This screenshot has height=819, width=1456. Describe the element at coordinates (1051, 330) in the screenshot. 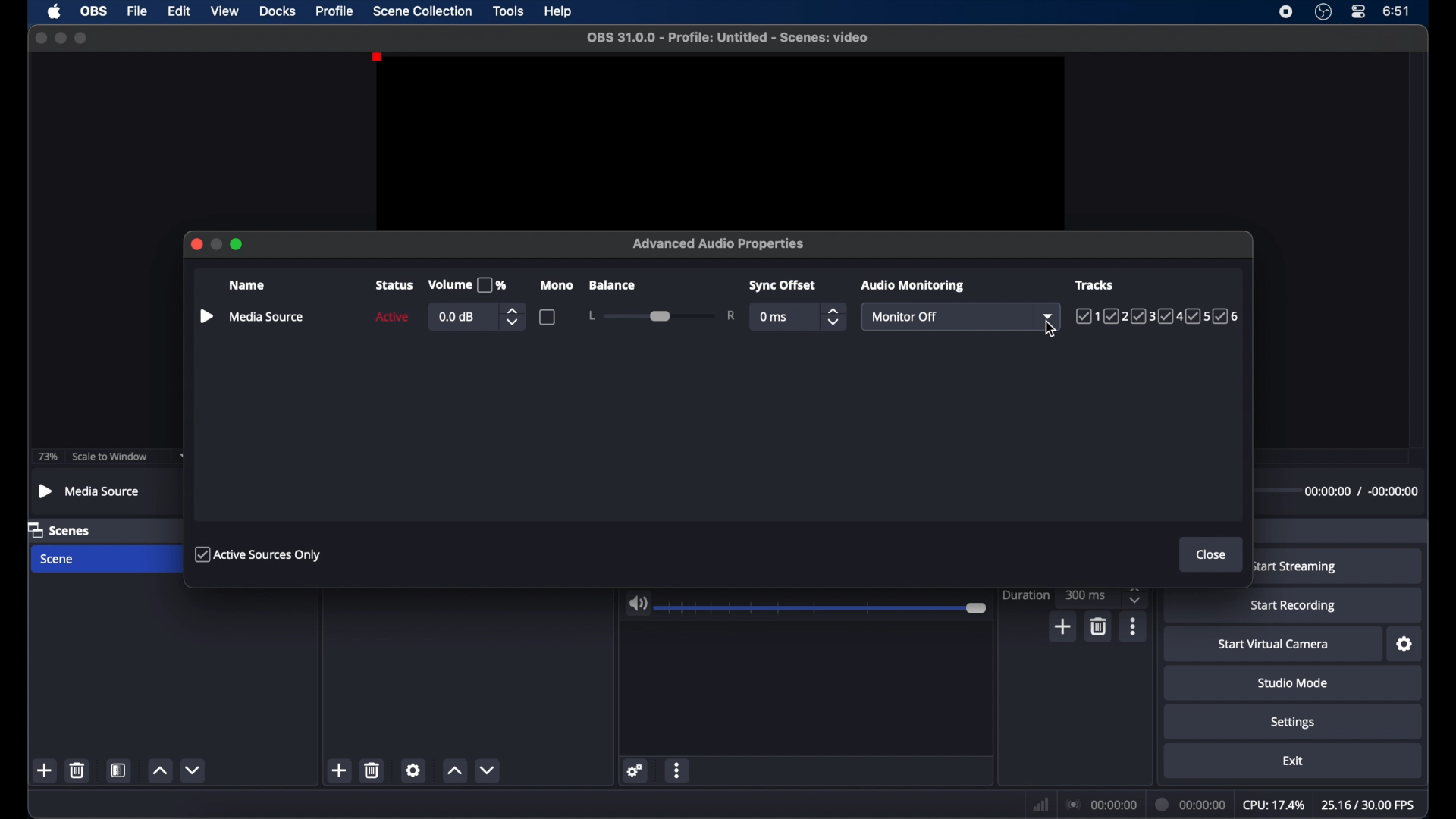

I see `cursor` at that location.